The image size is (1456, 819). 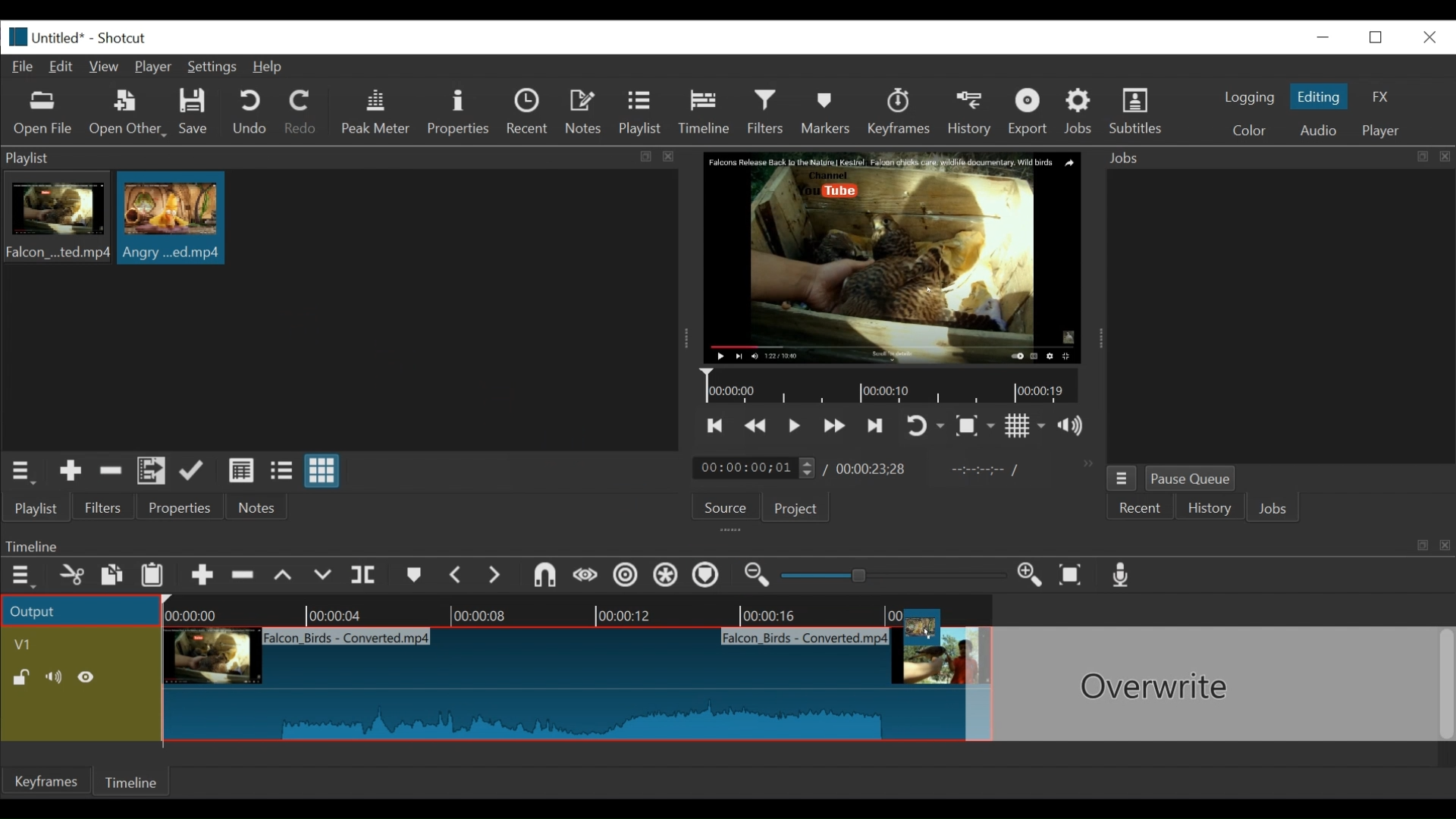 What do you see at coordinates (1269, 156) in the screenshot?
I see `Jobs menu` at bounding box center [1269, 156].